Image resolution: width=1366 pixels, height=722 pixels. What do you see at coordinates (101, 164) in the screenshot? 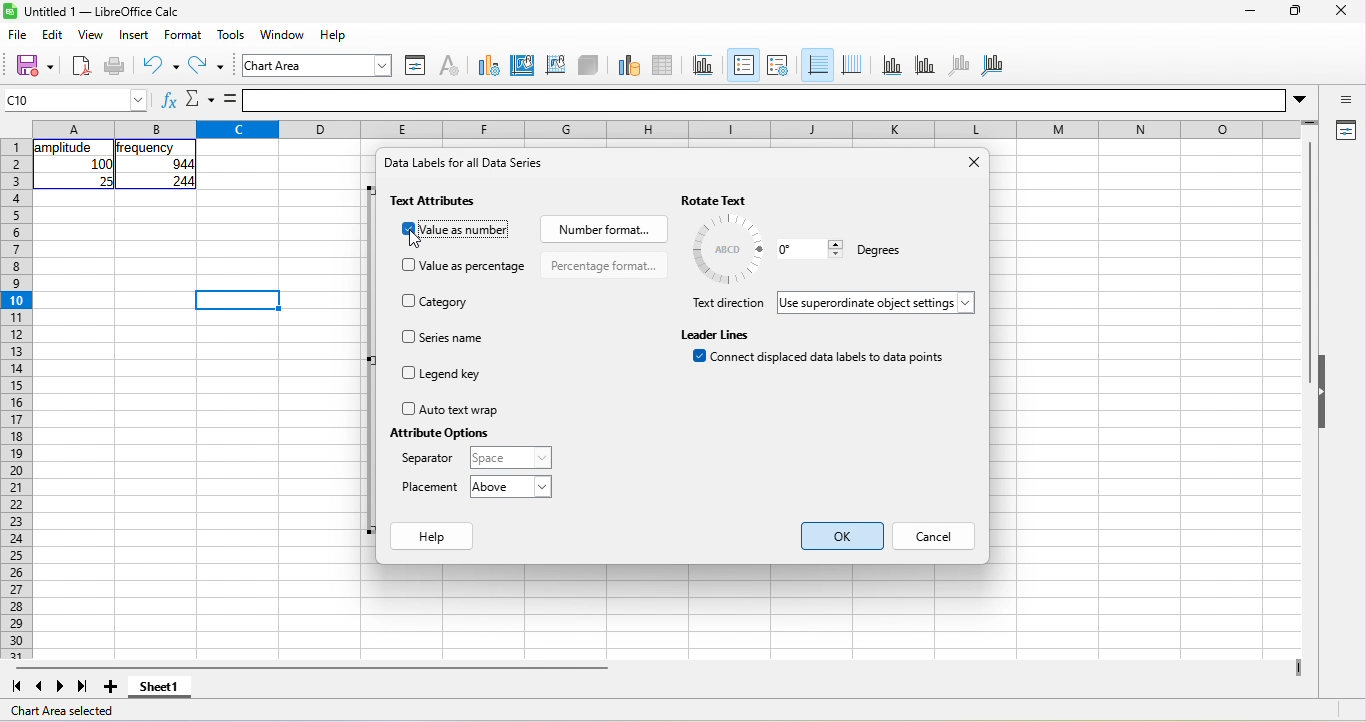
I see `100` at bounding box center [101, 164].